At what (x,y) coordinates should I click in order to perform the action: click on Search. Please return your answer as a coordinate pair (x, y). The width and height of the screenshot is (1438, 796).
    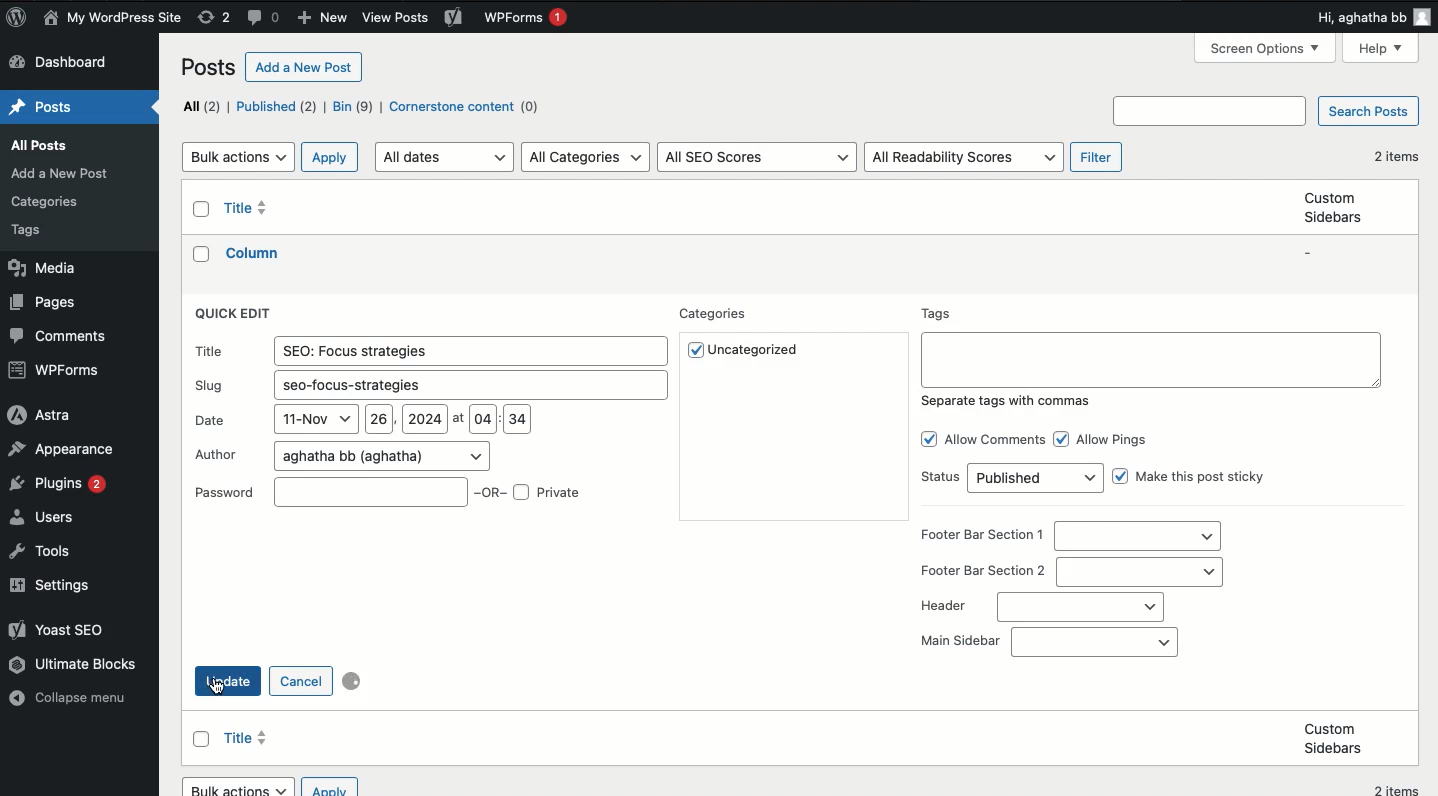
    Looking at the image, I should click on (1213, 111).